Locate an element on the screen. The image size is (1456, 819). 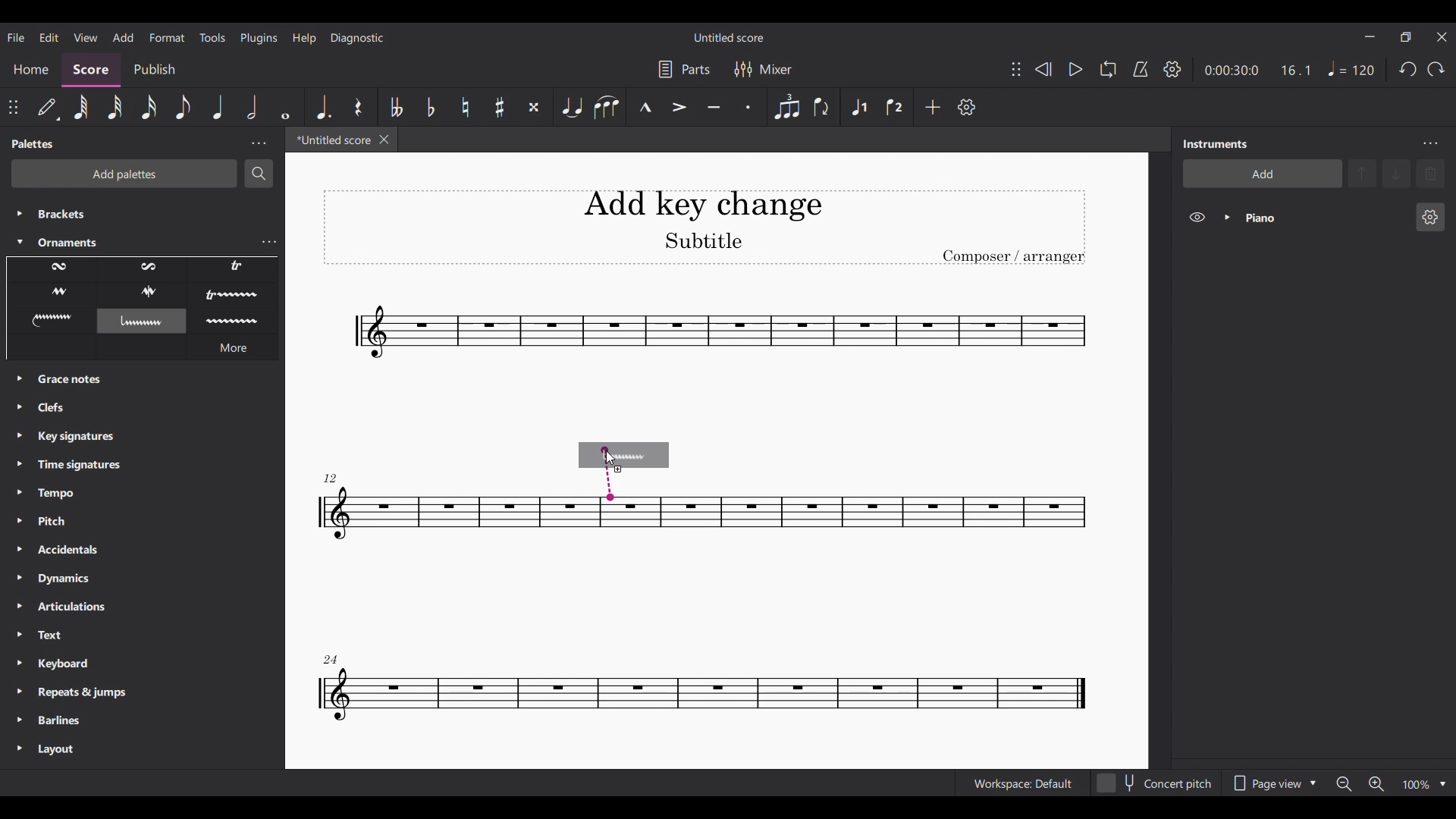
Palette options is located at coordinates (136, 224).